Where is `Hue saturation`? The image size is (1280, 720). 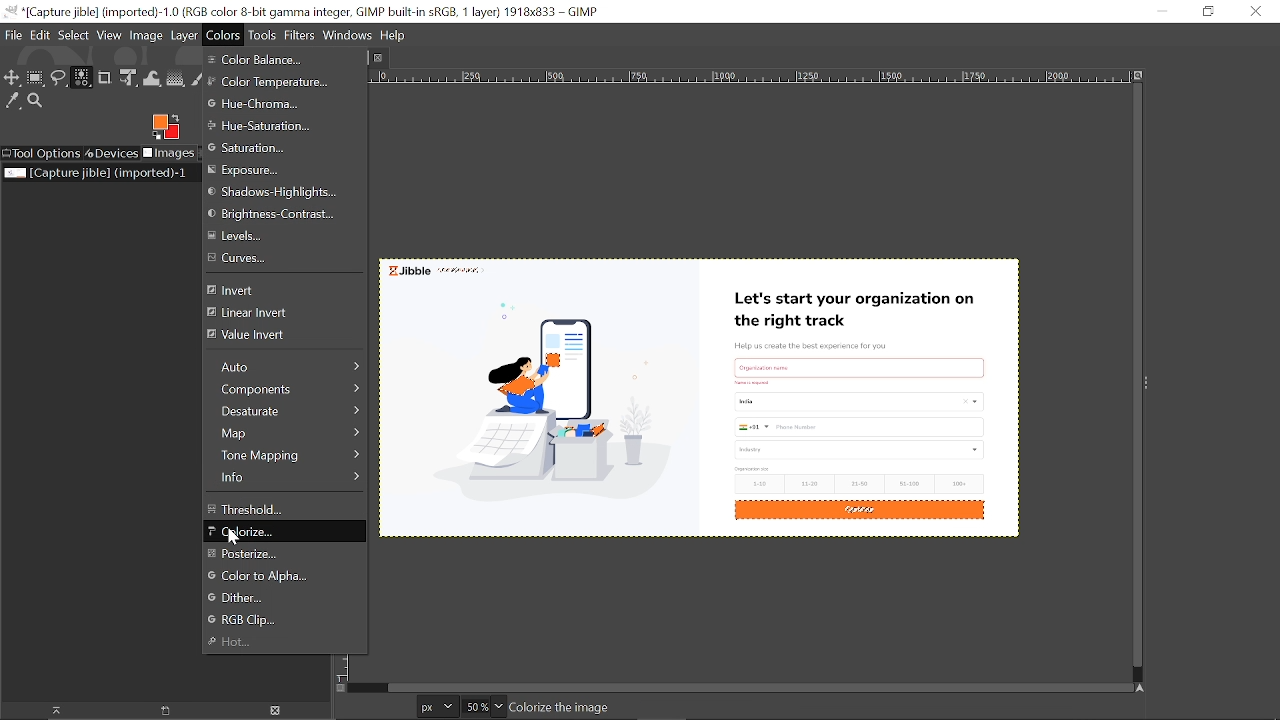 Hue saturation is located at coordinates (287, 127).